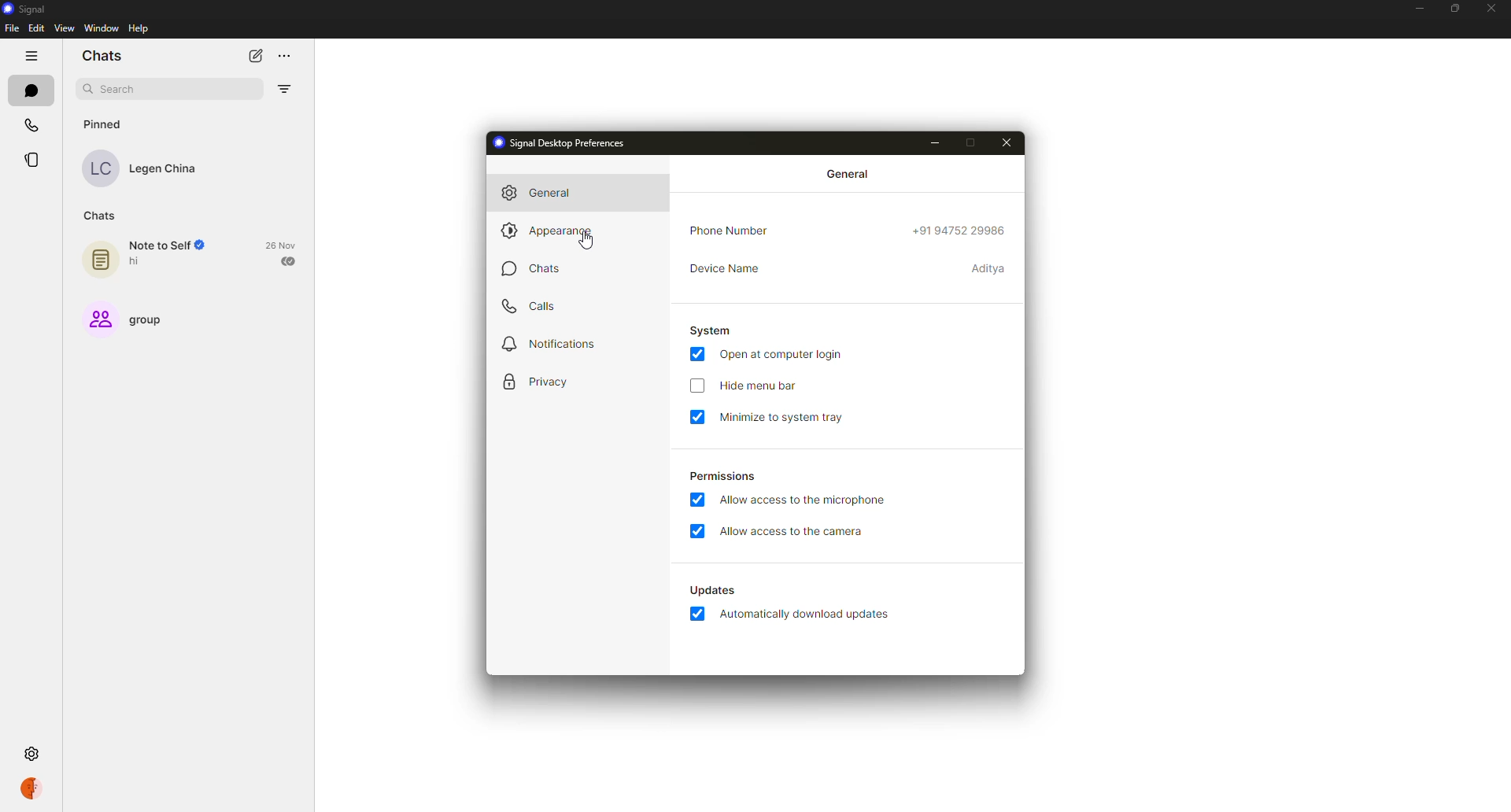 The height and width of the screenshot is (812, 1511). Describe the element at coordinates (1011, 142) in the screenshot. I see `close` at that location.